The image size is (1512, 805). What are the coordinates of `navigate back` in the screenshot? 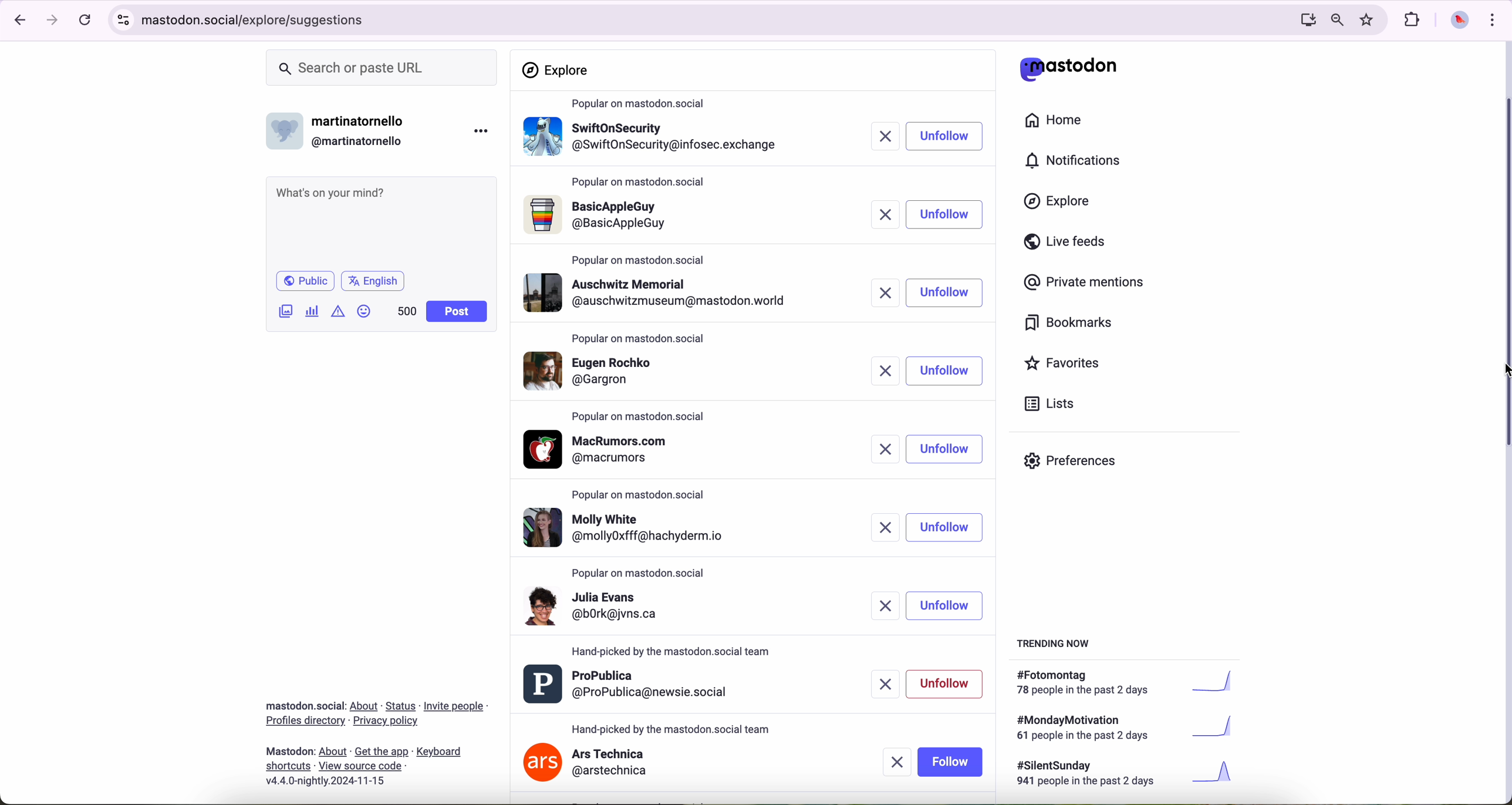 It's located at (16, 19).